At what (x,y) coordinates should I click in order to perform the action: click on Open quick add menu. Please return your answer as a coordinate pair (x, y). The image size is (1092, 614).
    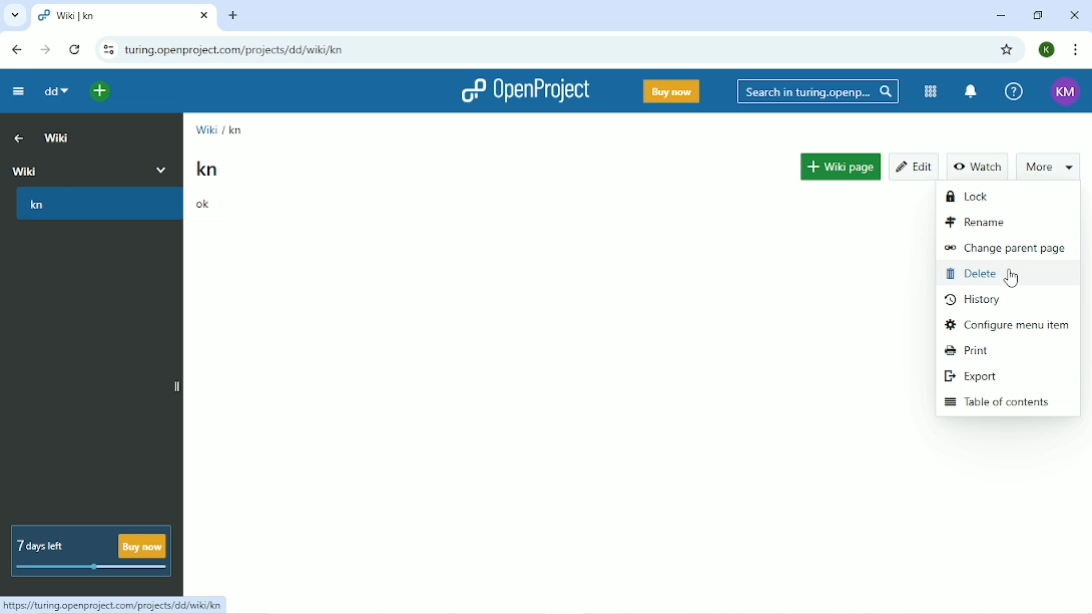
    Looking at the image, I should click on (95, 94).